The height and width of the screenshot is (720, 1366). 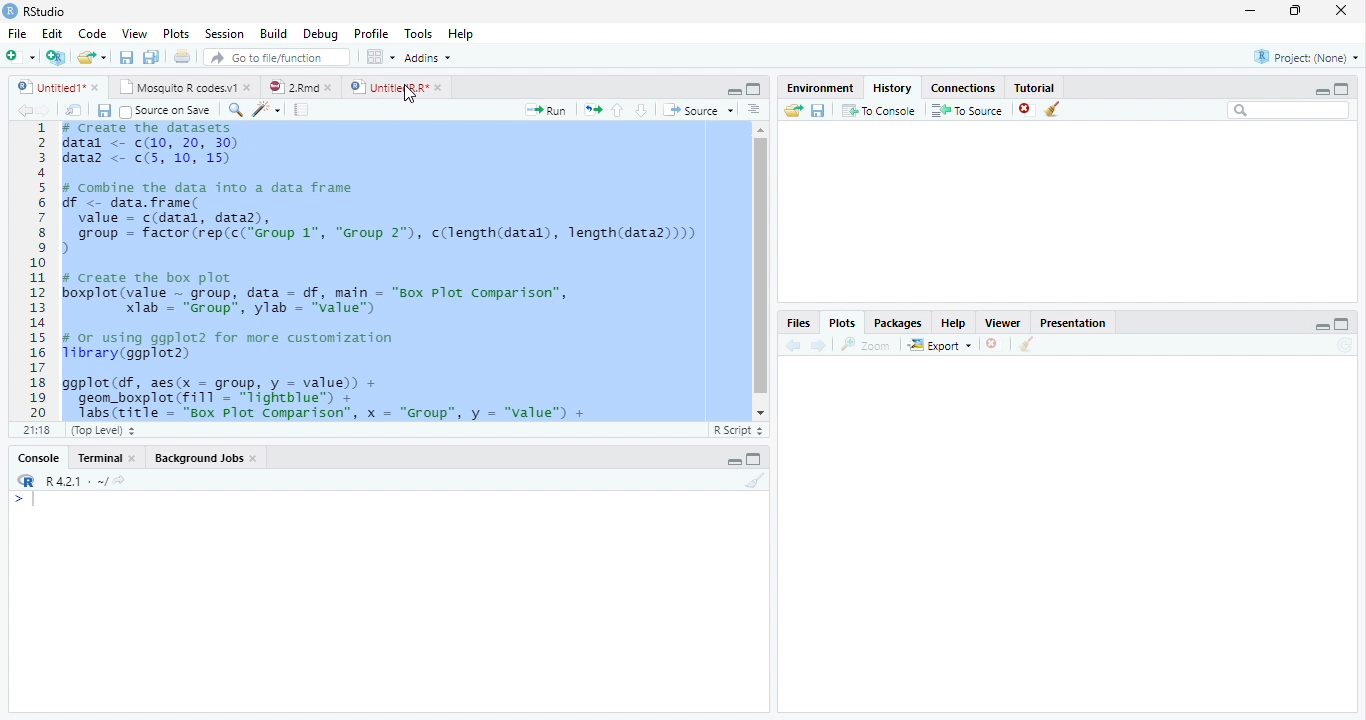 What do you see at coordinates (1295, 11) in the screenshot?
I see `restore` at bounding box center [1295, 11].